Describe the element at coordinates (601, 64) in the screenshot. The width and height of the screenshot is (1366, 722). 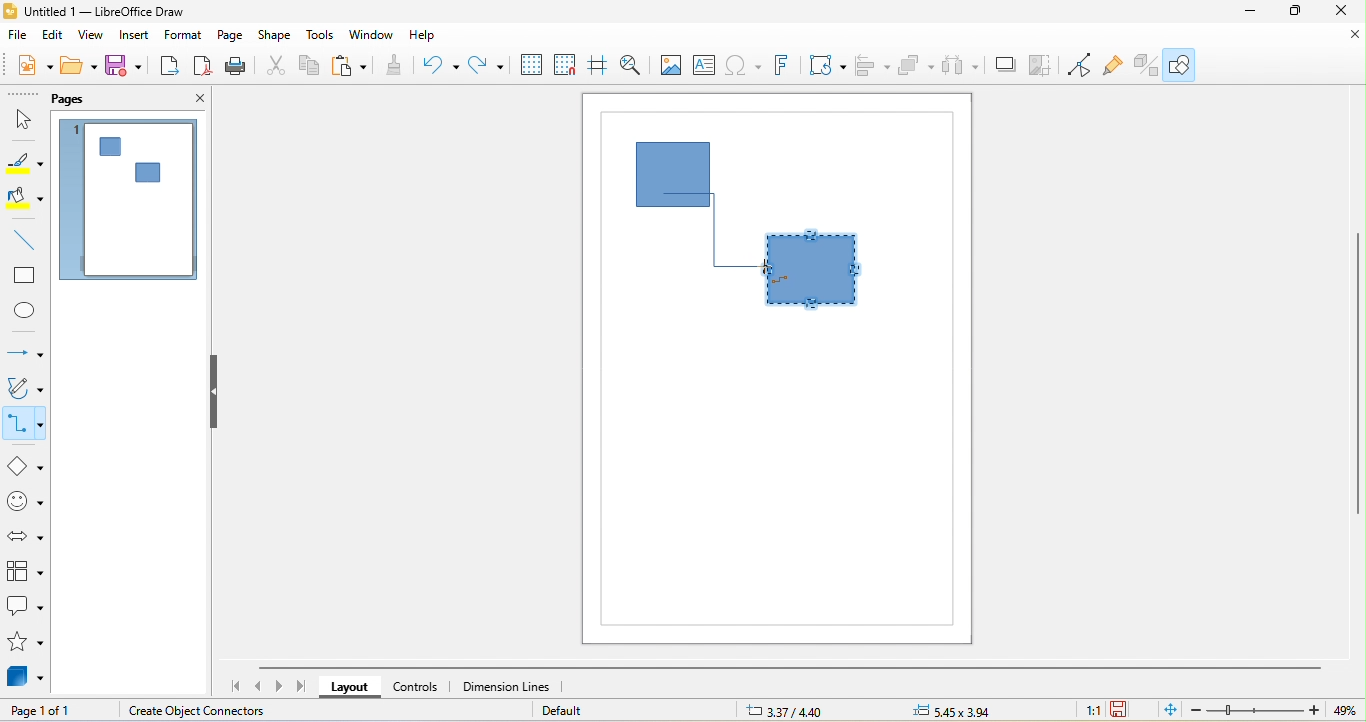
I see `helplines while moving` at that location.